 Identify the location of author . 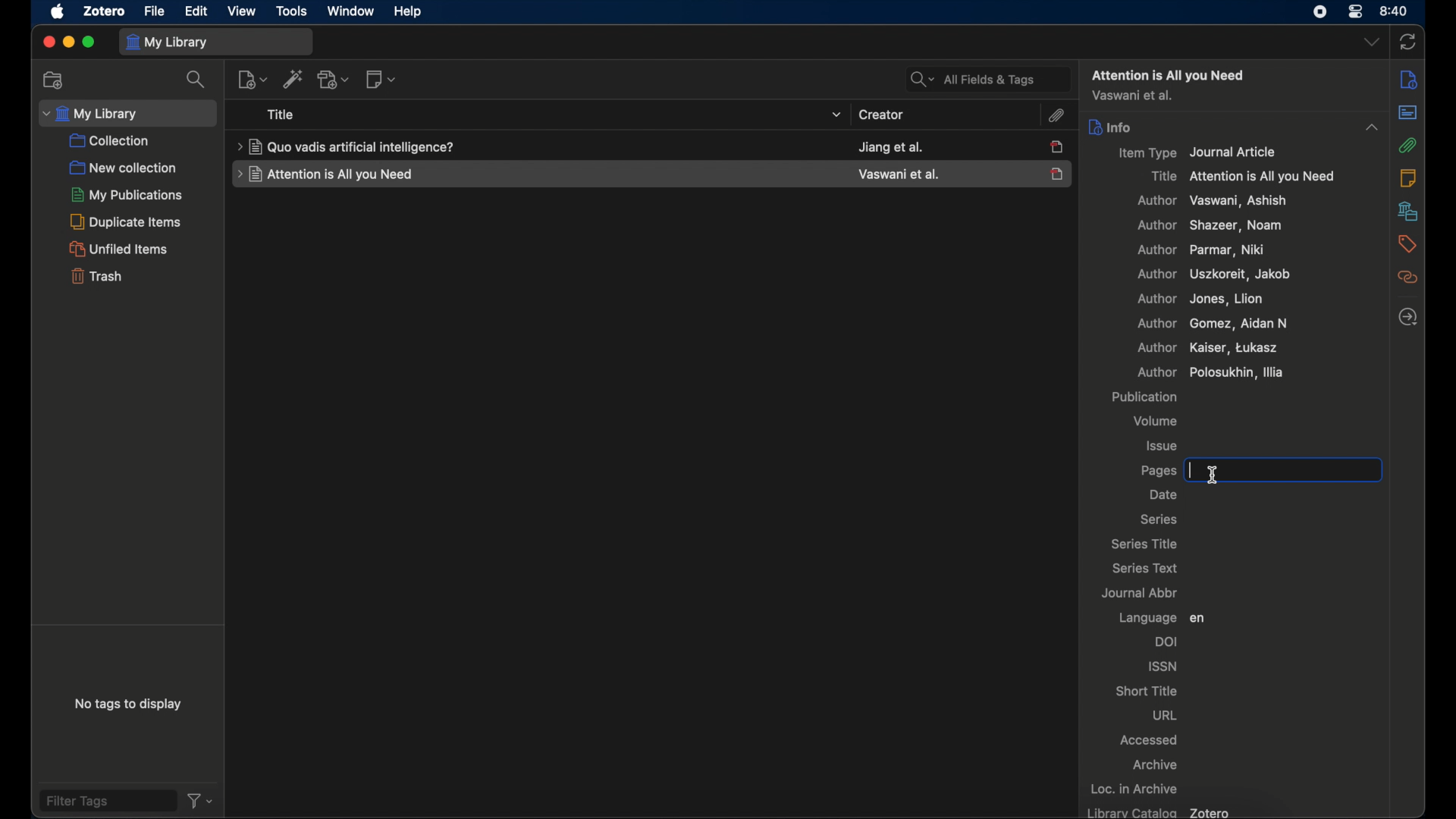
(1133, 96).